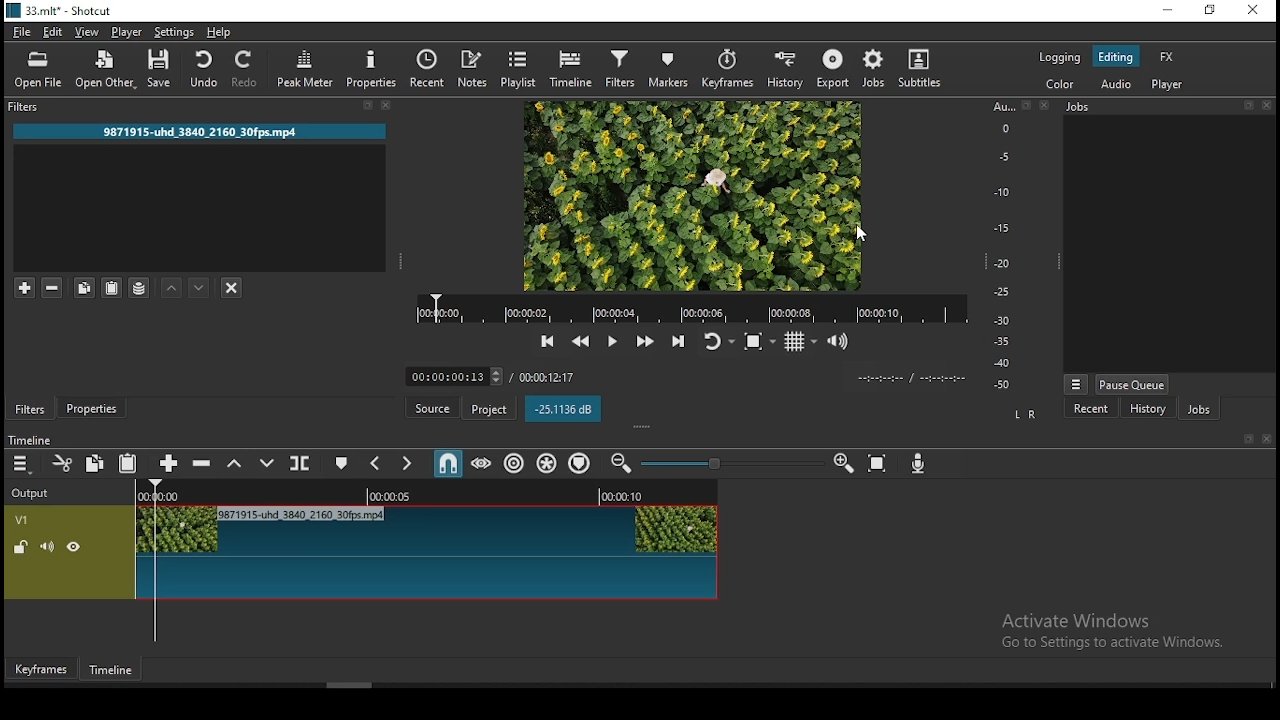 This screenshot has width=1280, height=720. I want to click on unlocked, so click(20, 547).